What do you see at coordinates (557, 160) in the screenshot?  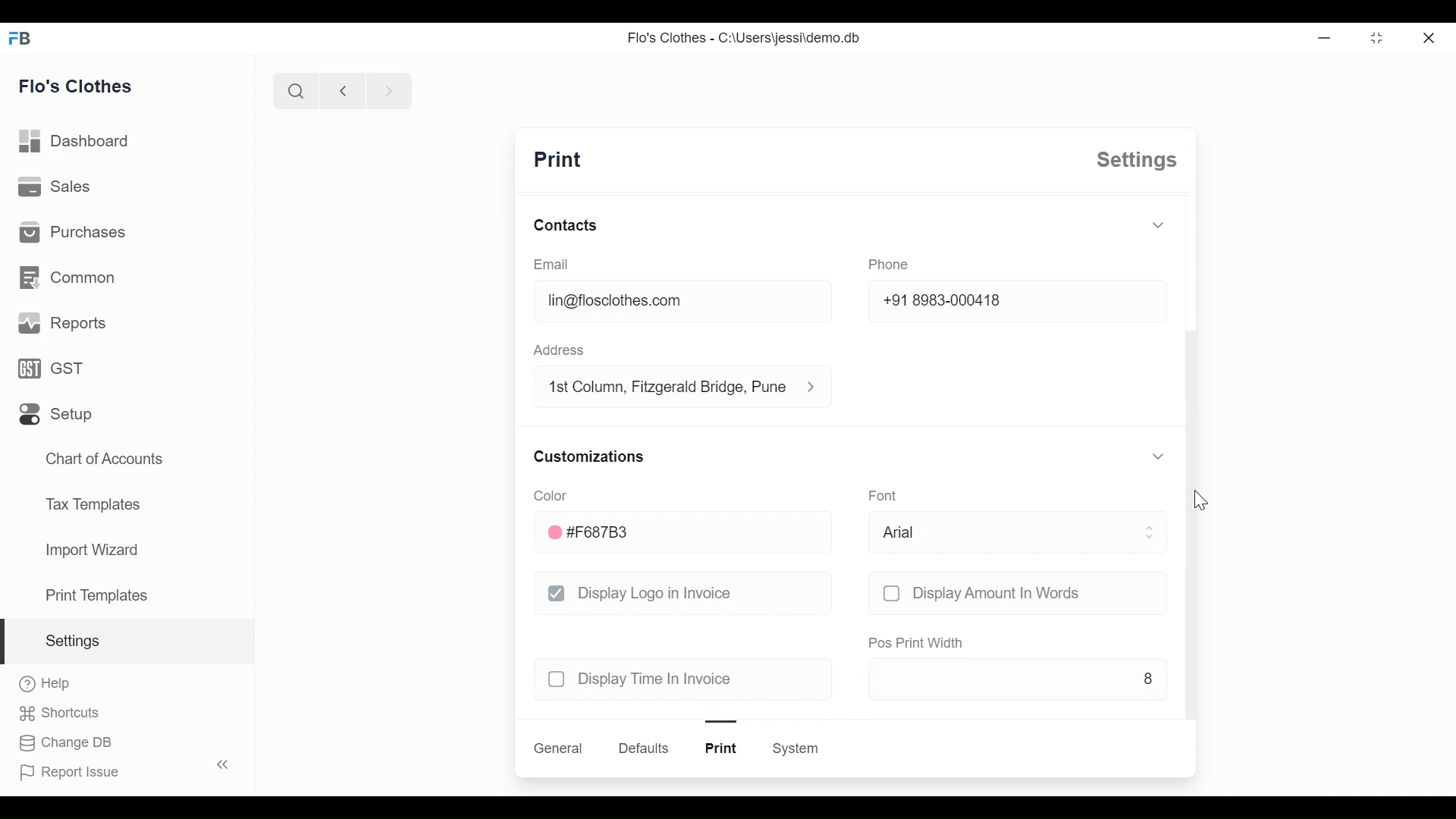 I see `print` at bounding box center [557, 160].